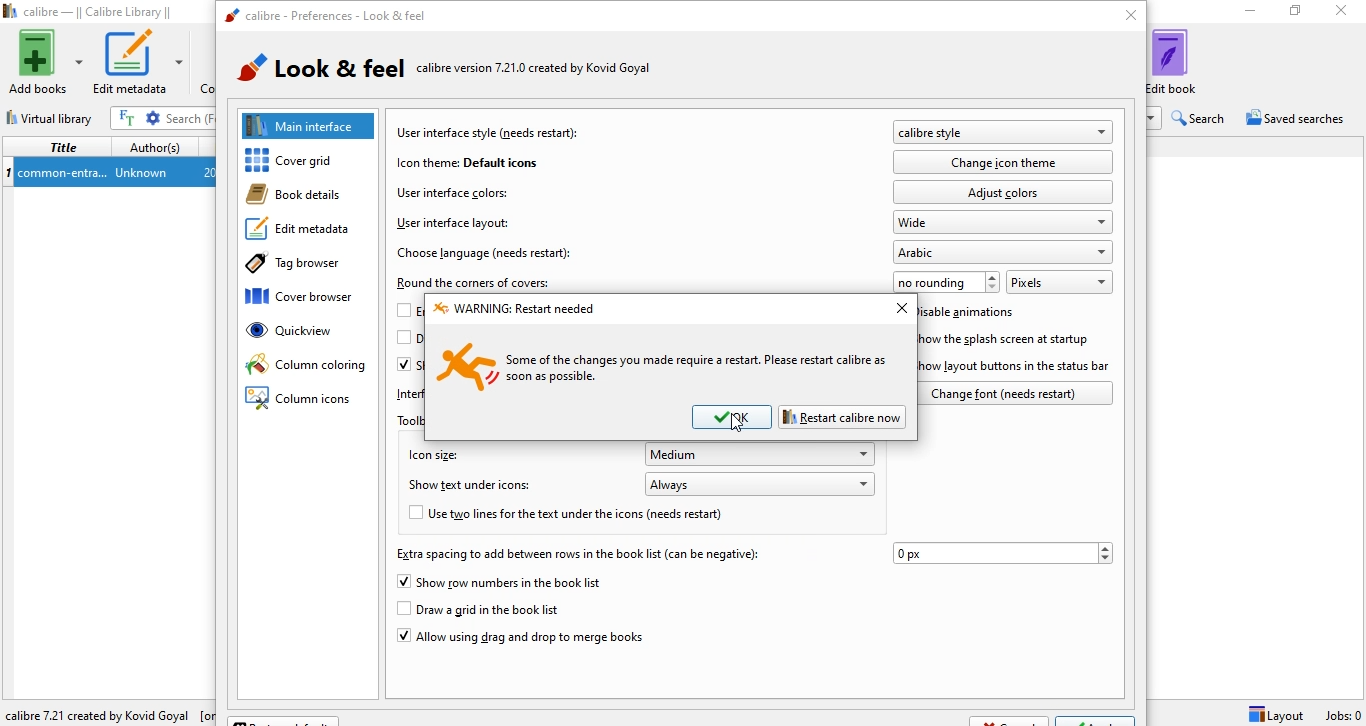  I want to click on restart calibre now, so click(842, 416).